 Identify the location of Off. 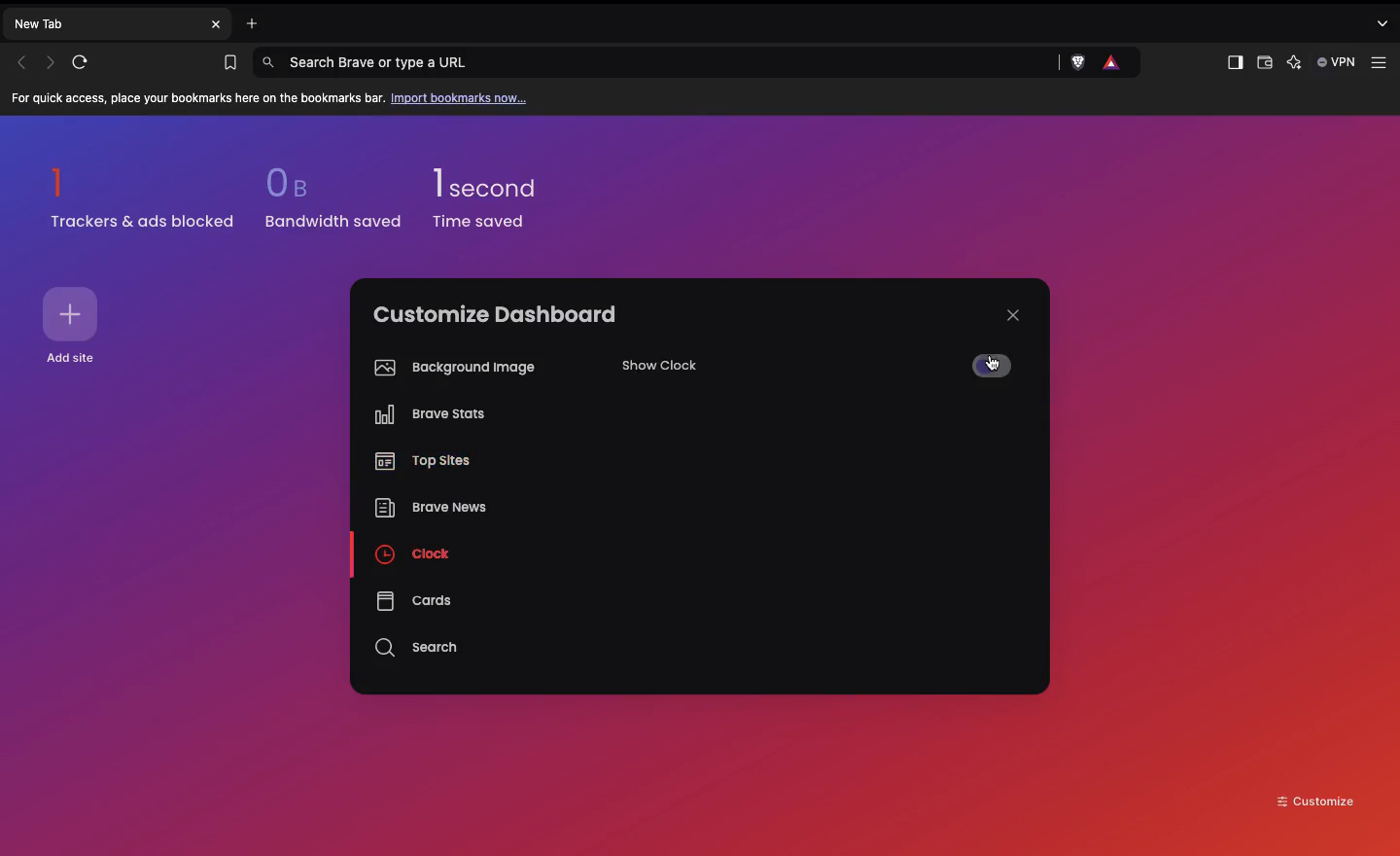
(991, 365).